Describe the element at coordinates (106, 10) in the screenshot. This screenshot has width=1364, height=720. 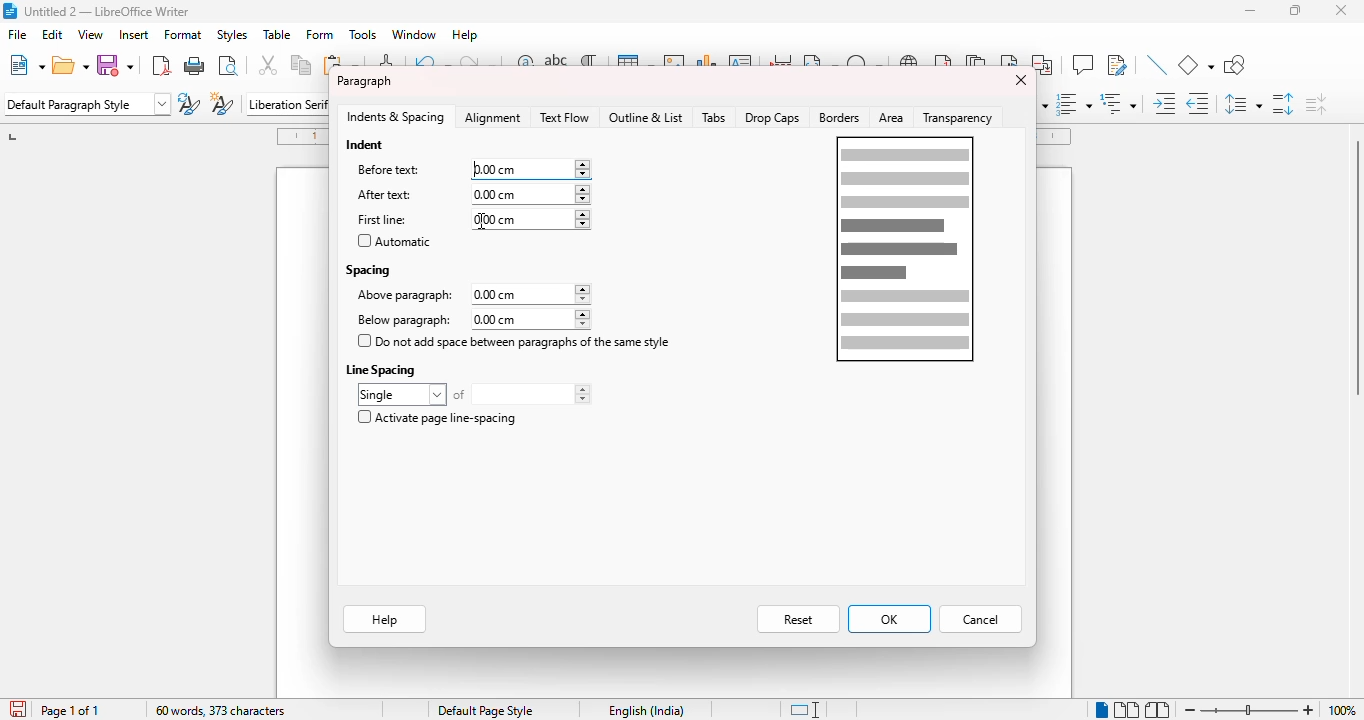
I see `title` at that location.